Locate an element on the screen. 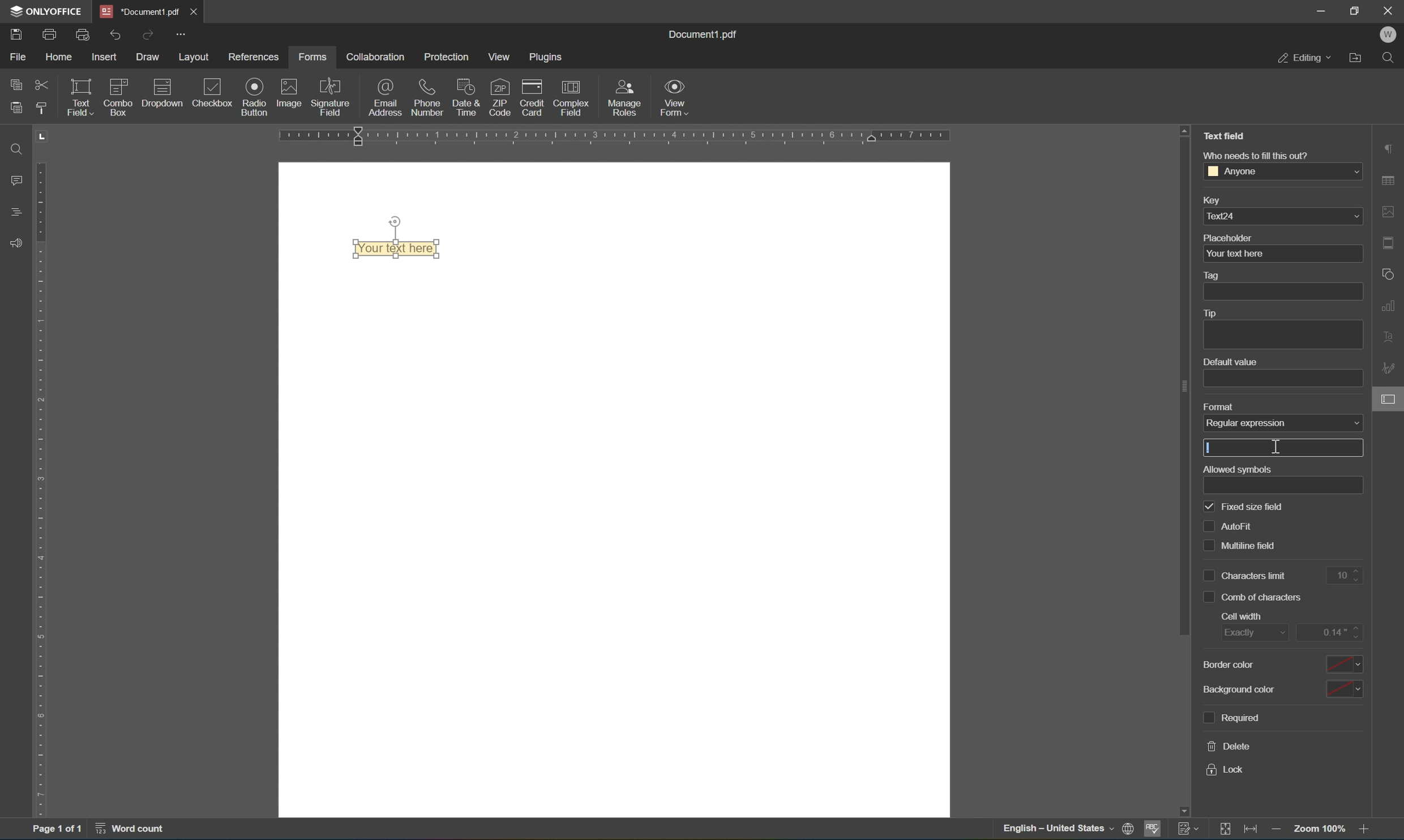 The height and width of the screenshot is (840, 1404). form settings is located at coordinates (1390, 398).